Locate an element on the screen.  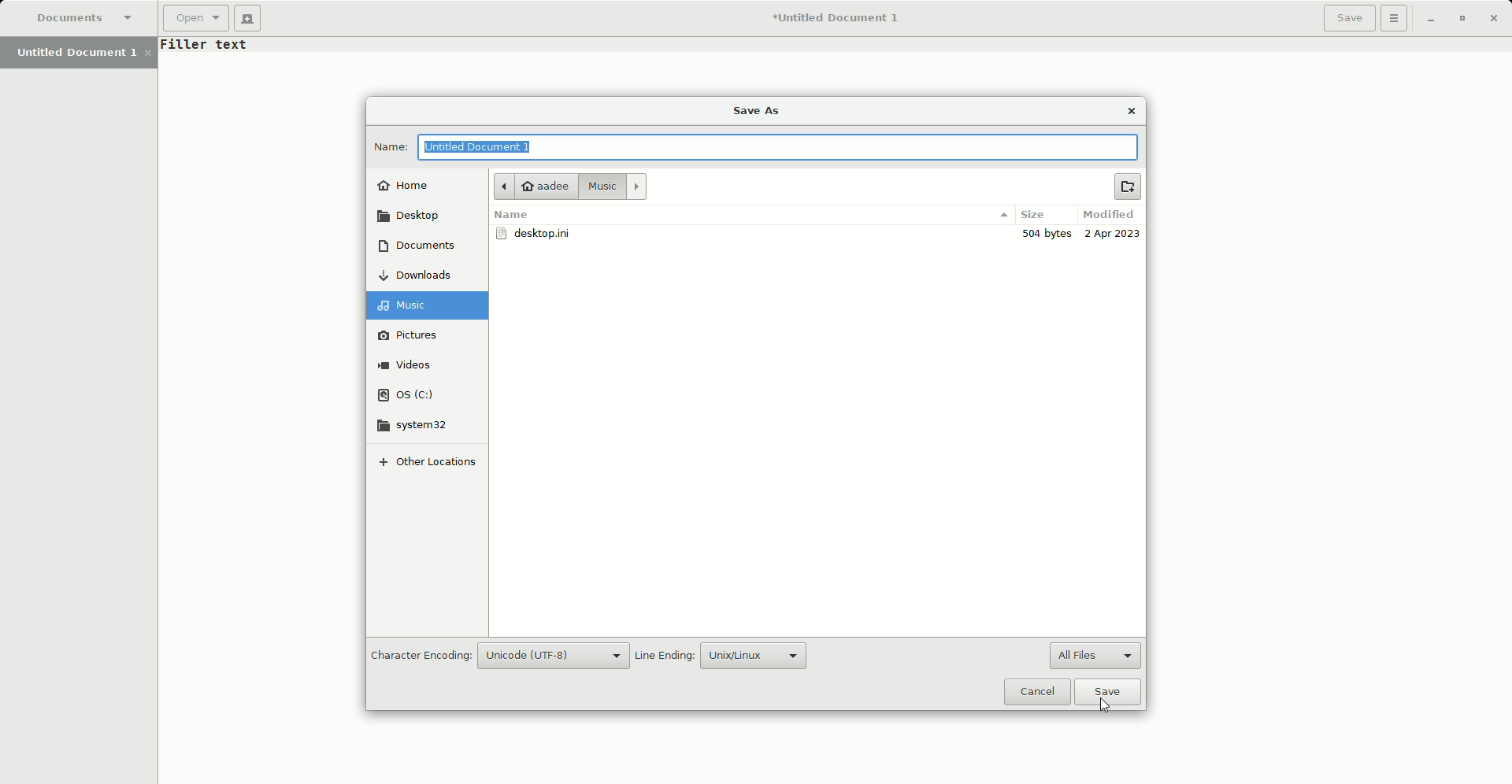
Music is located at coordinates (428, 306).